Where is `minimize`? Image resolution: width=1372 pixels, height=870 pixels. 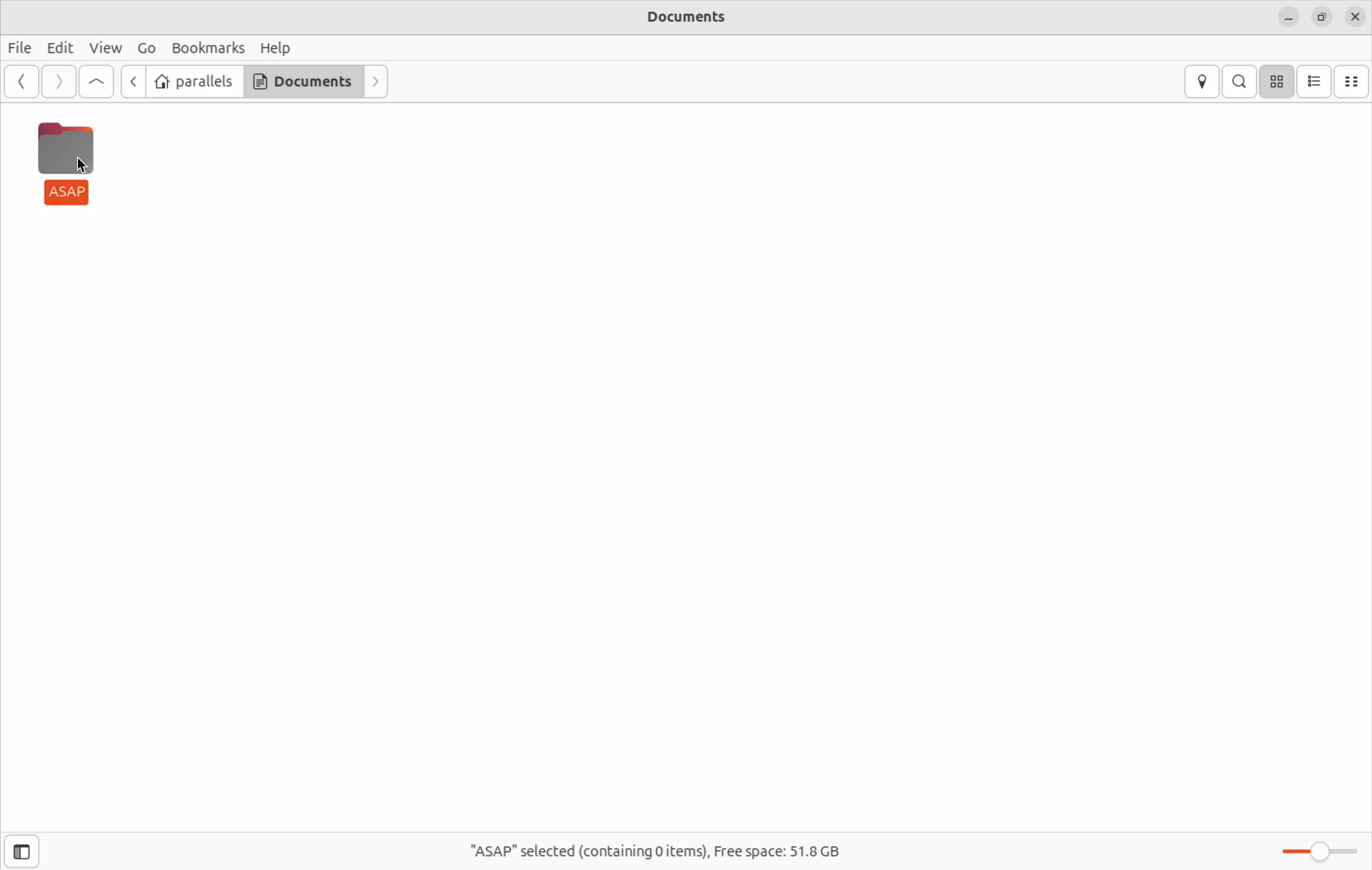 minimize is located at coordinates (1288, 18).